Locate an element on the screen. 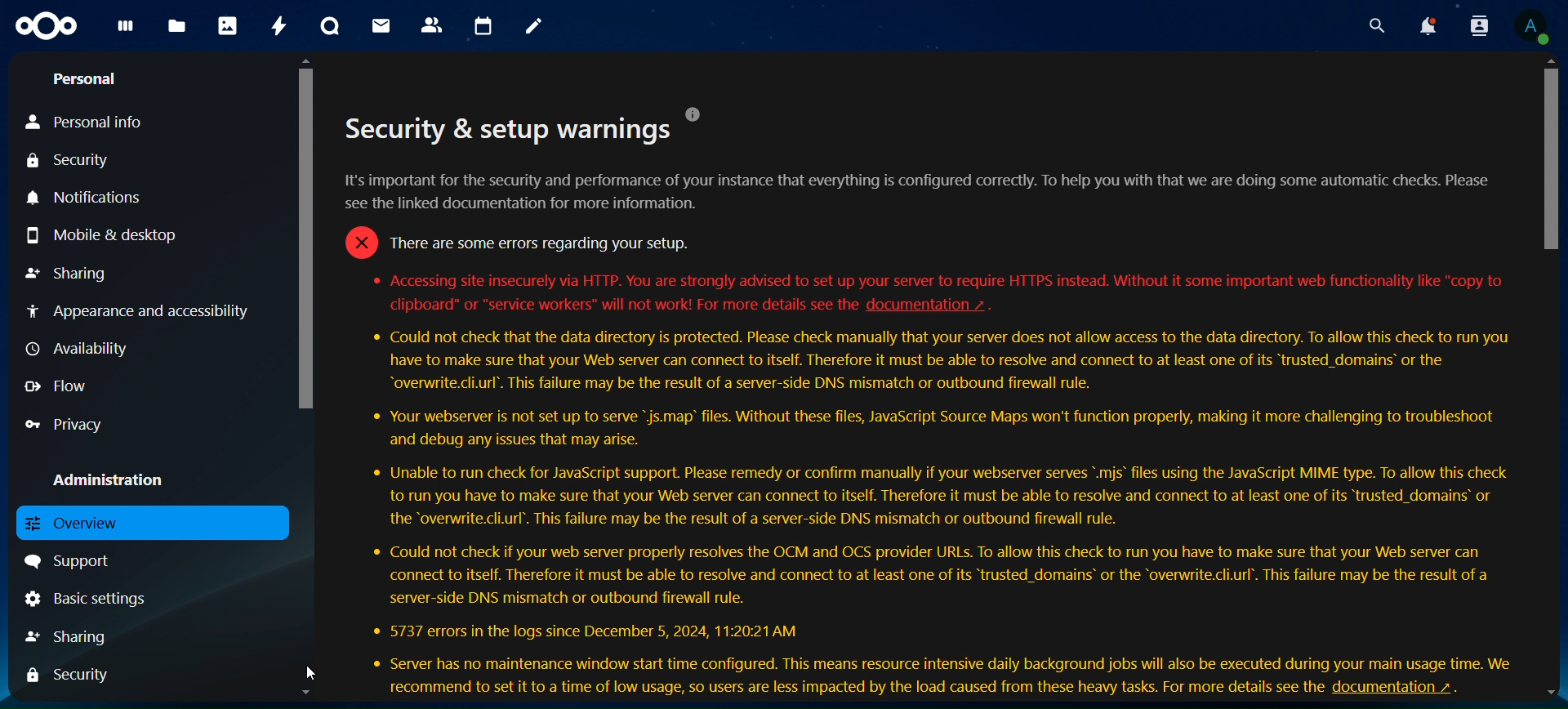  search contacts is located at coordinates (1472, 25).